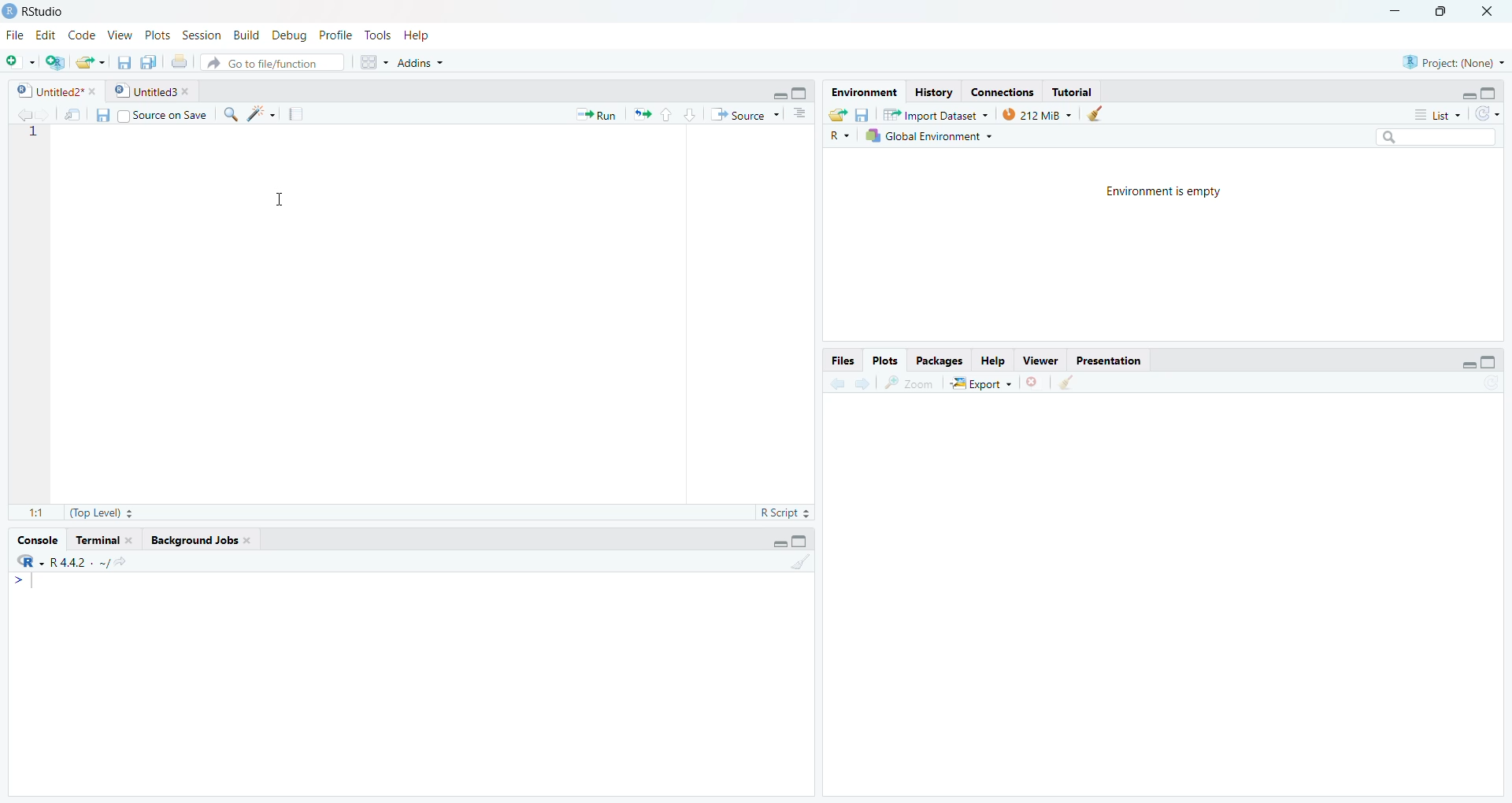 The height and width of the screenshot is (803, 1512). Describe the element at coordinates (50, 91) in the screenshot. I see `untitled2` at that location.